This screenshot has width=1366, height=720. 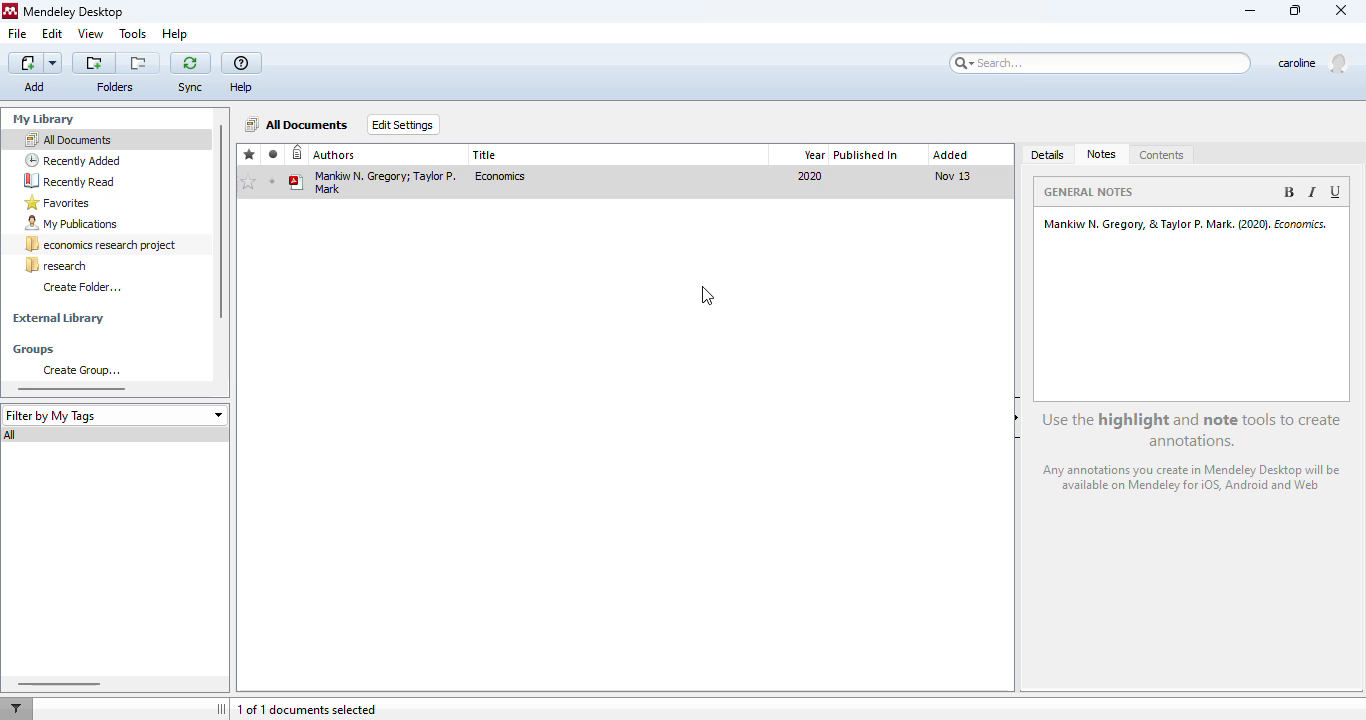 What do you see at coordinates (46, 119) in the screenshot?
I see `my library` at bounding box center [46, 119].